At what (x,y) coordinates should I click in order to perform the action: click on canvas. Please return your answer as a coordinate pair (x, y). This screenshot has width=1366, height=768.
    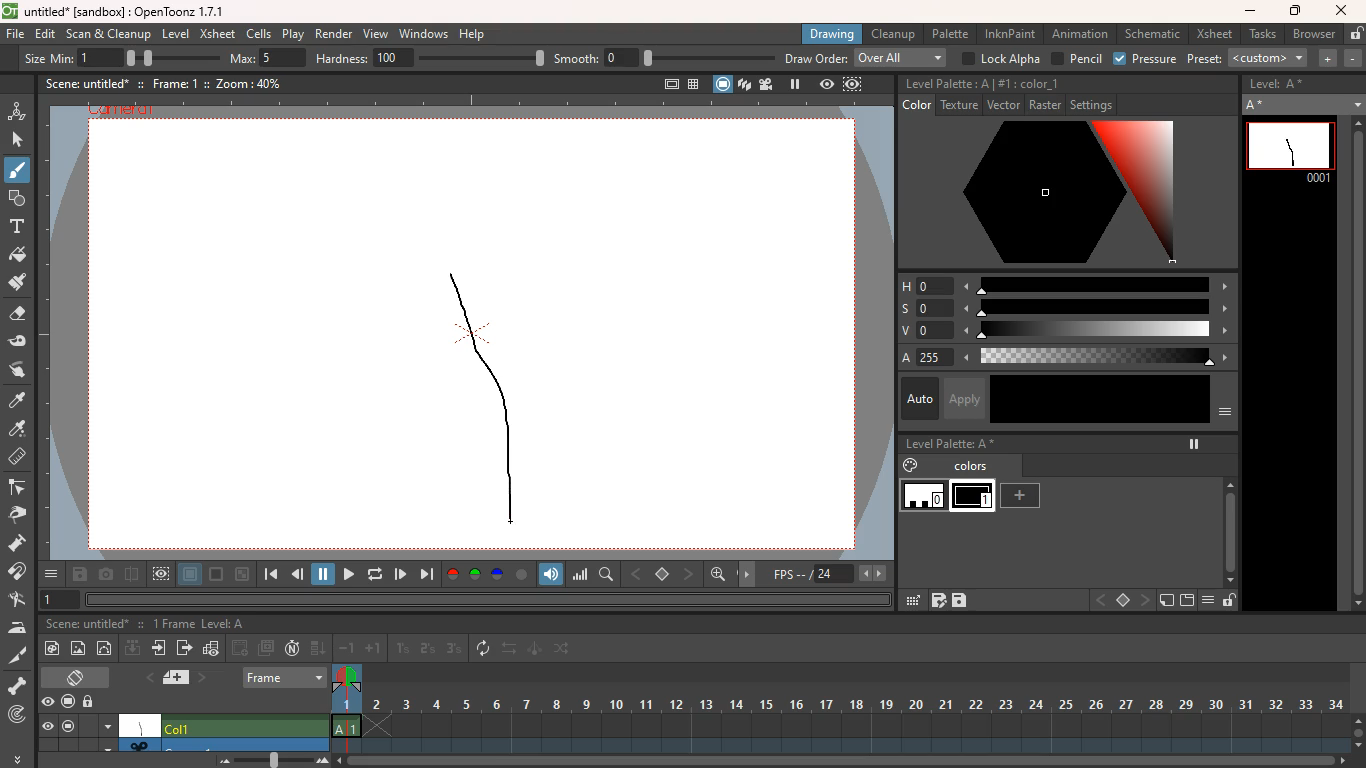
    Looking at the image, I should click on (141, 725).